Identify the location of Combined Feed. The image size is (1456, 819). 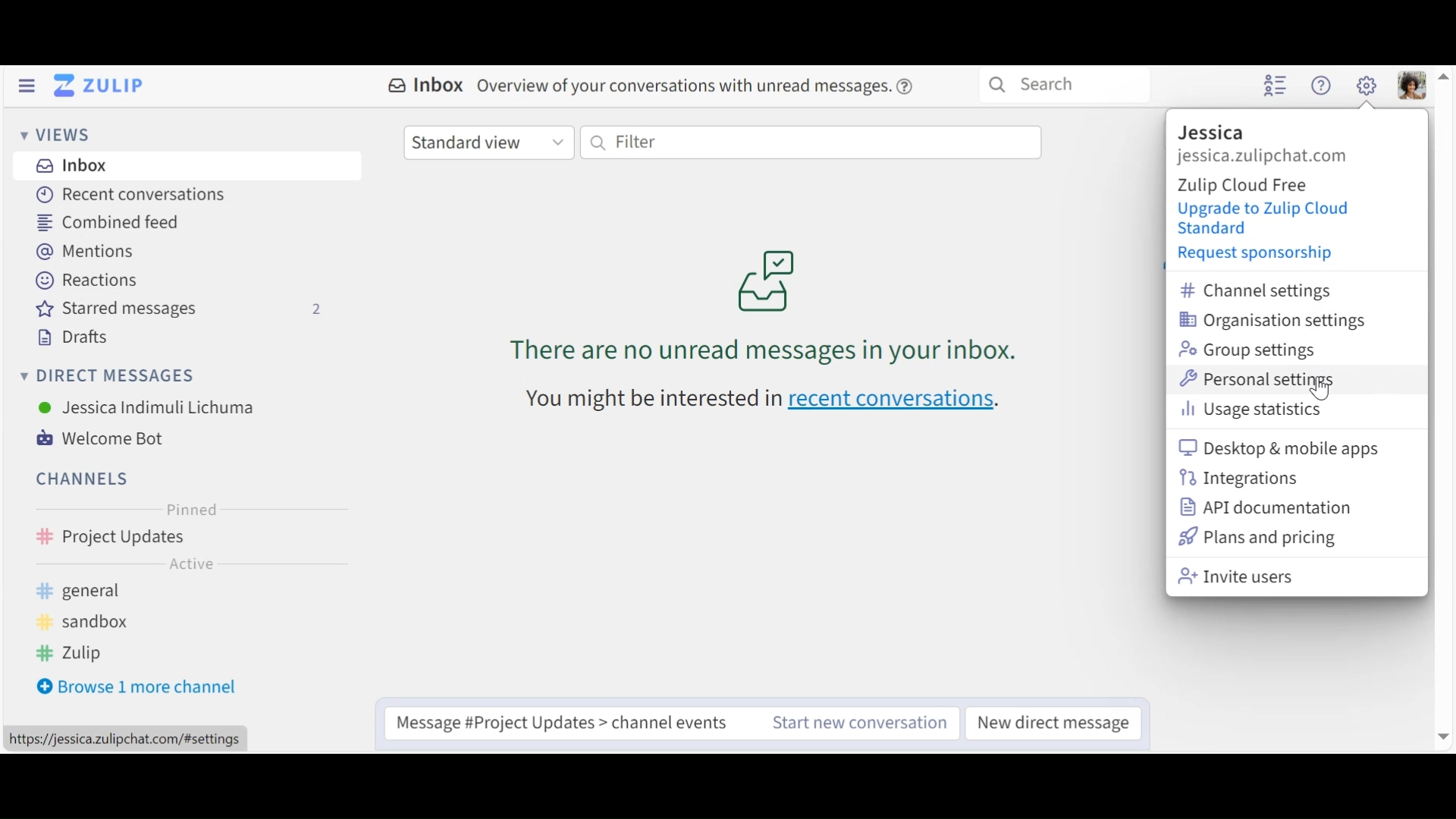
(105, 224).